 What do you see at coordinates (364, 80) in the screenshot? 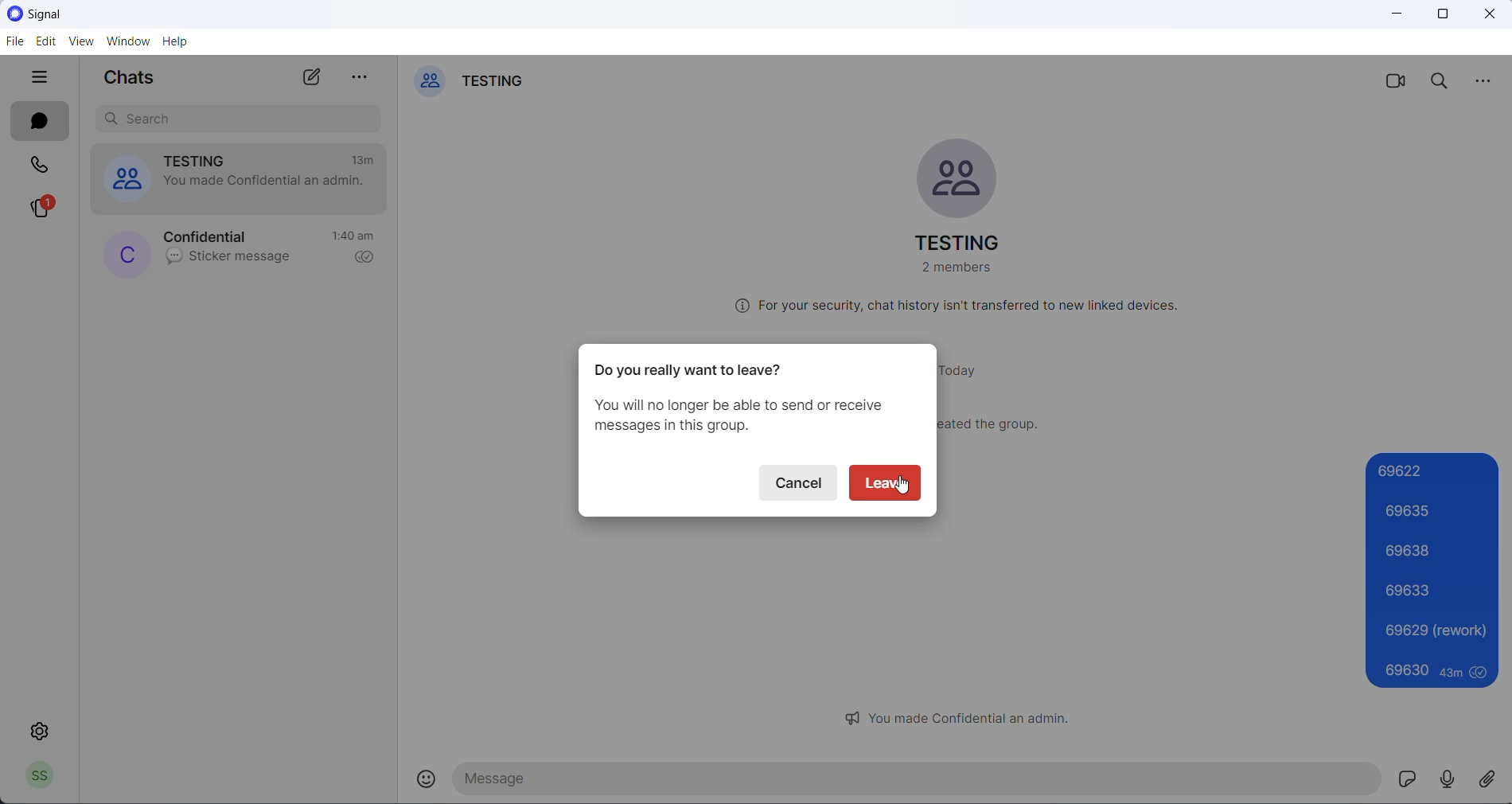
I see `more options` at bounding box center [364, 80].